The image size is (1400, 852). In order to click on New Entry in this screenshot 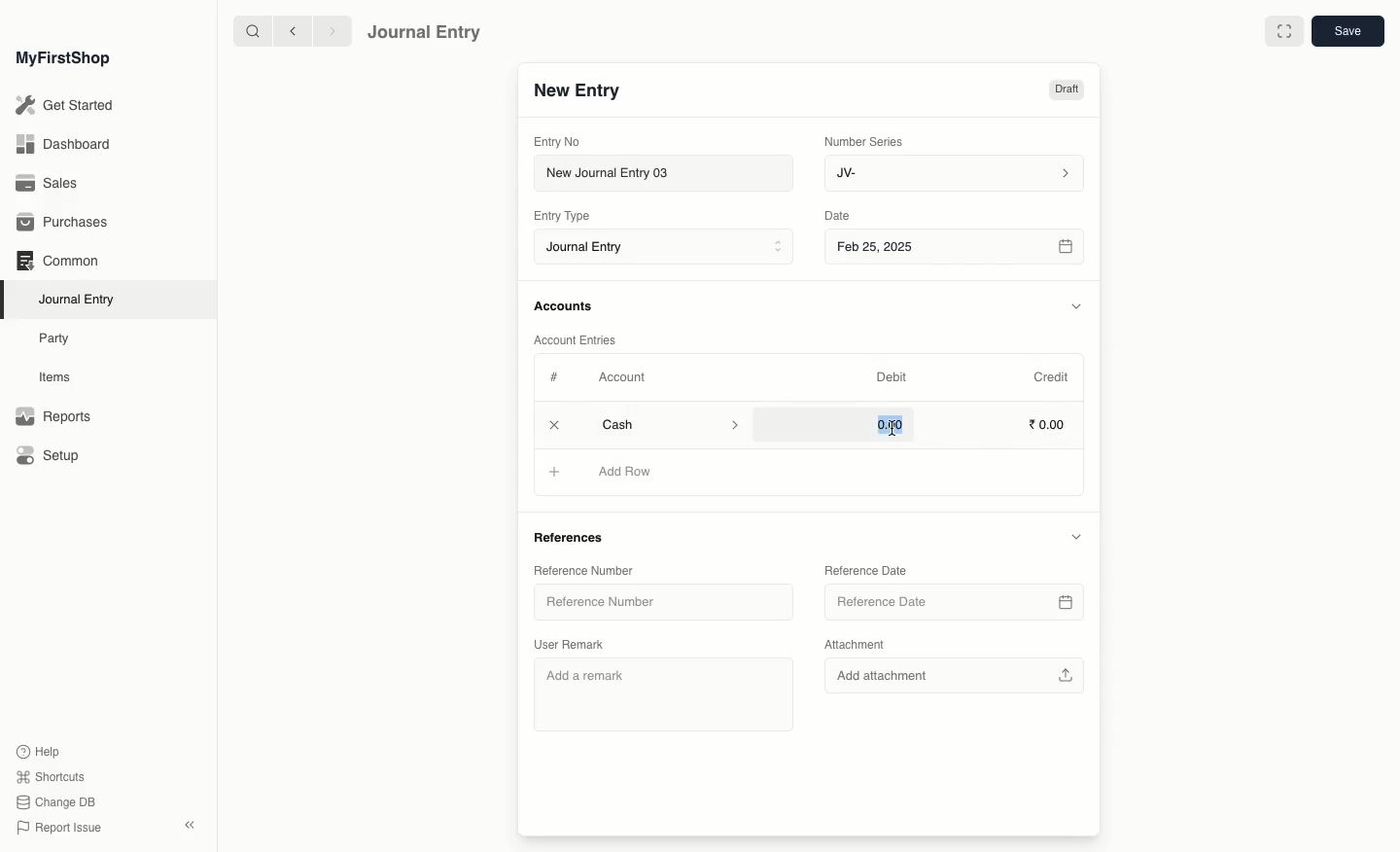, I will do `click(577, 91)`.